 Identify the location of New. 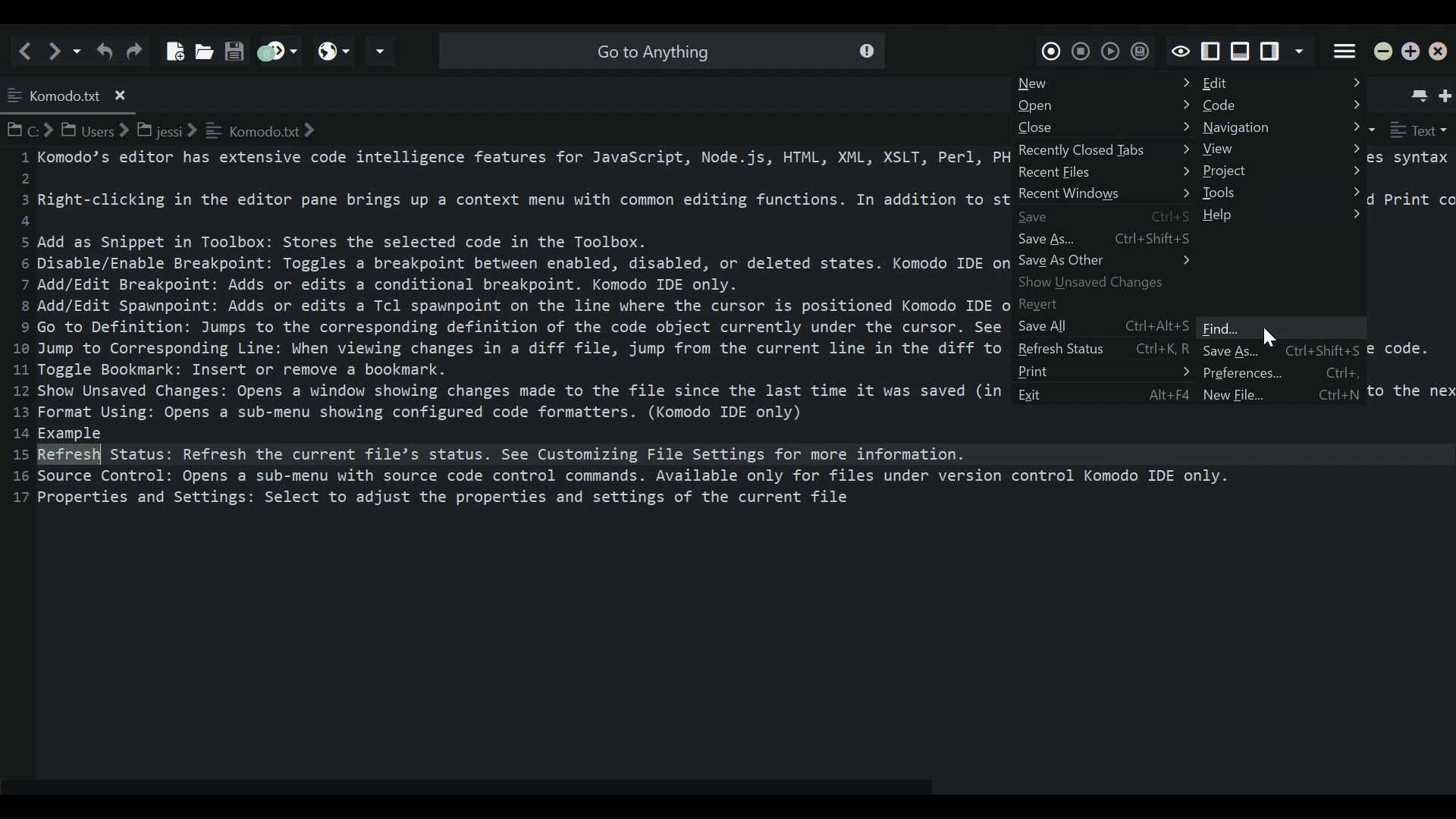
(1106, 83).